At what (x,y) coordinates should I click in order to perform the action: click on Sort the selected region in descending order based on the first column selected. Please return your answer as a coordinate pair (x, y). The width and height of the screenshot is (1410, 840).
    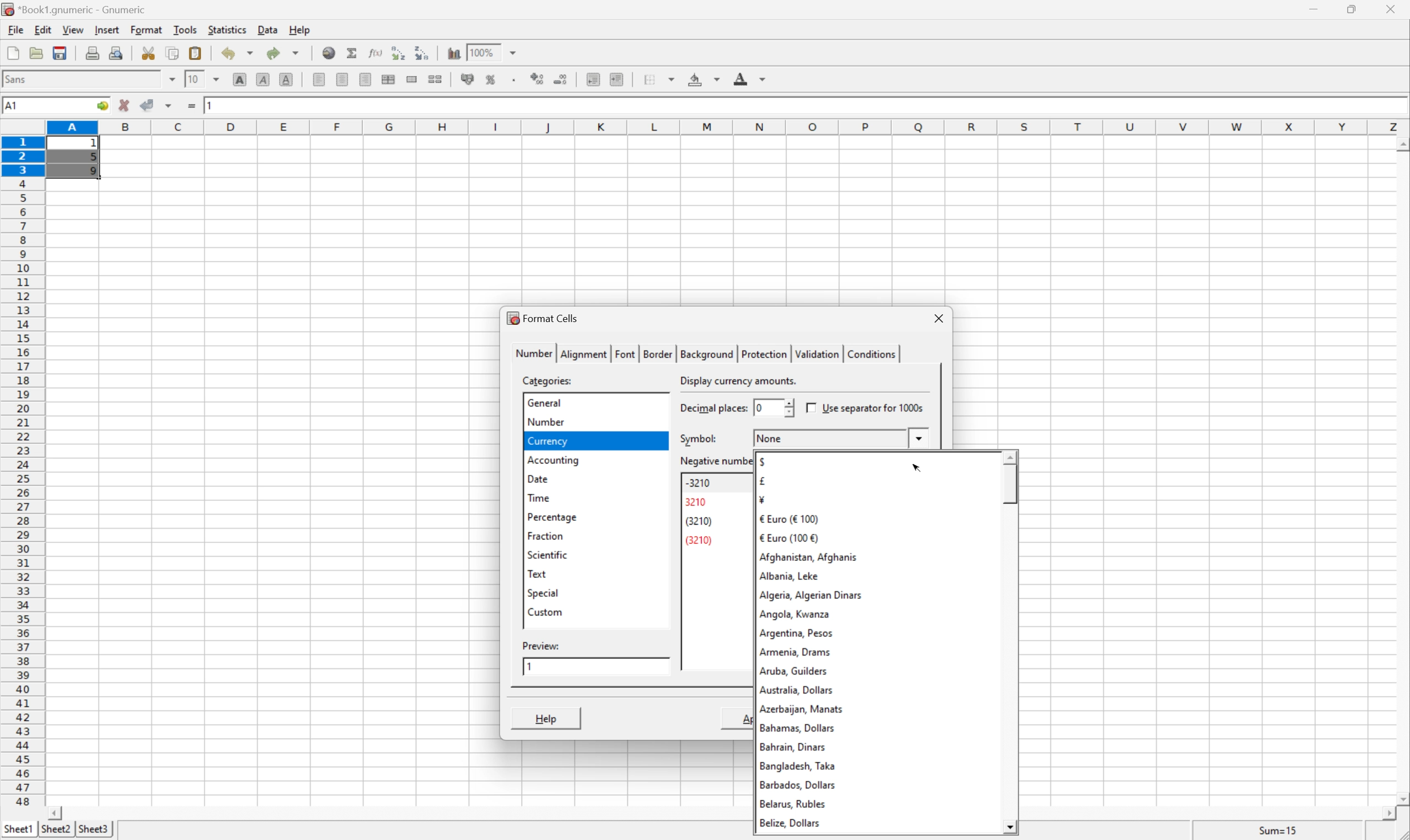
    Looking at the image, I should click on (422, 52).